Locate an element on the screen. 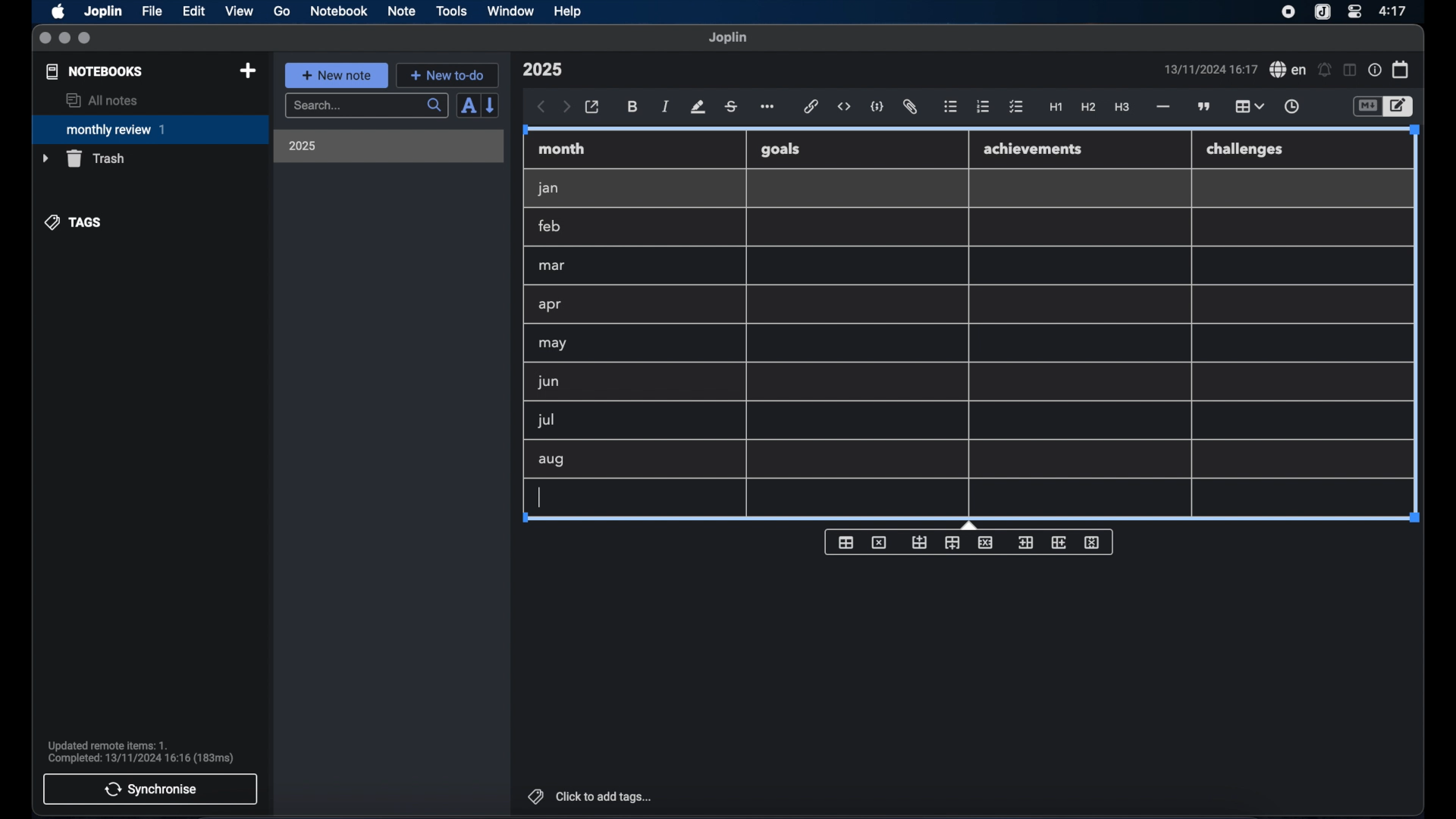 Image resolution: width=1456 pixels, height=819 pixels. tools is located at coordinates (451, 11).